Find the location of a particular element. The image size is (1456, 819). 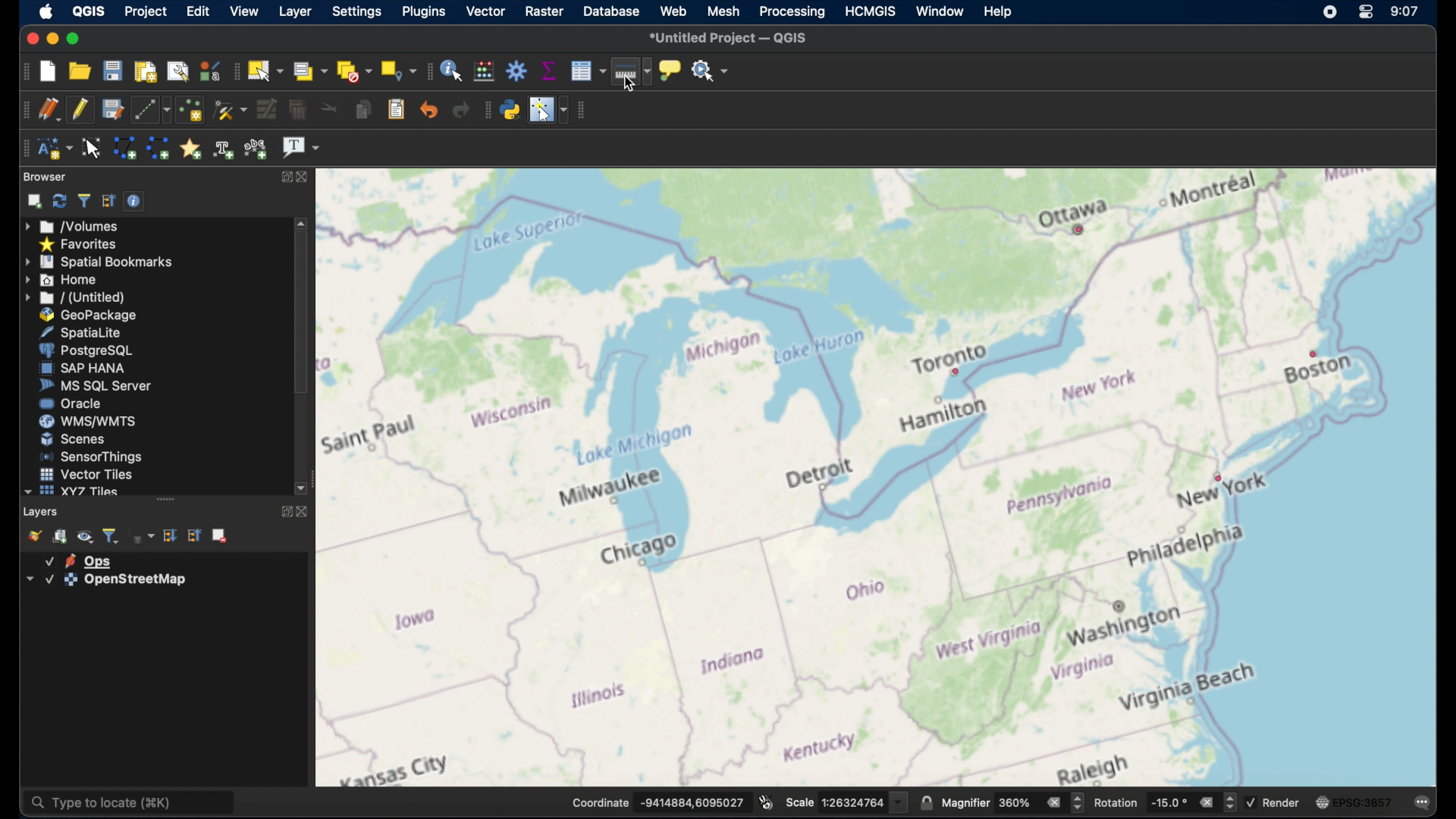

style manager is located at coordinates (210, 69).